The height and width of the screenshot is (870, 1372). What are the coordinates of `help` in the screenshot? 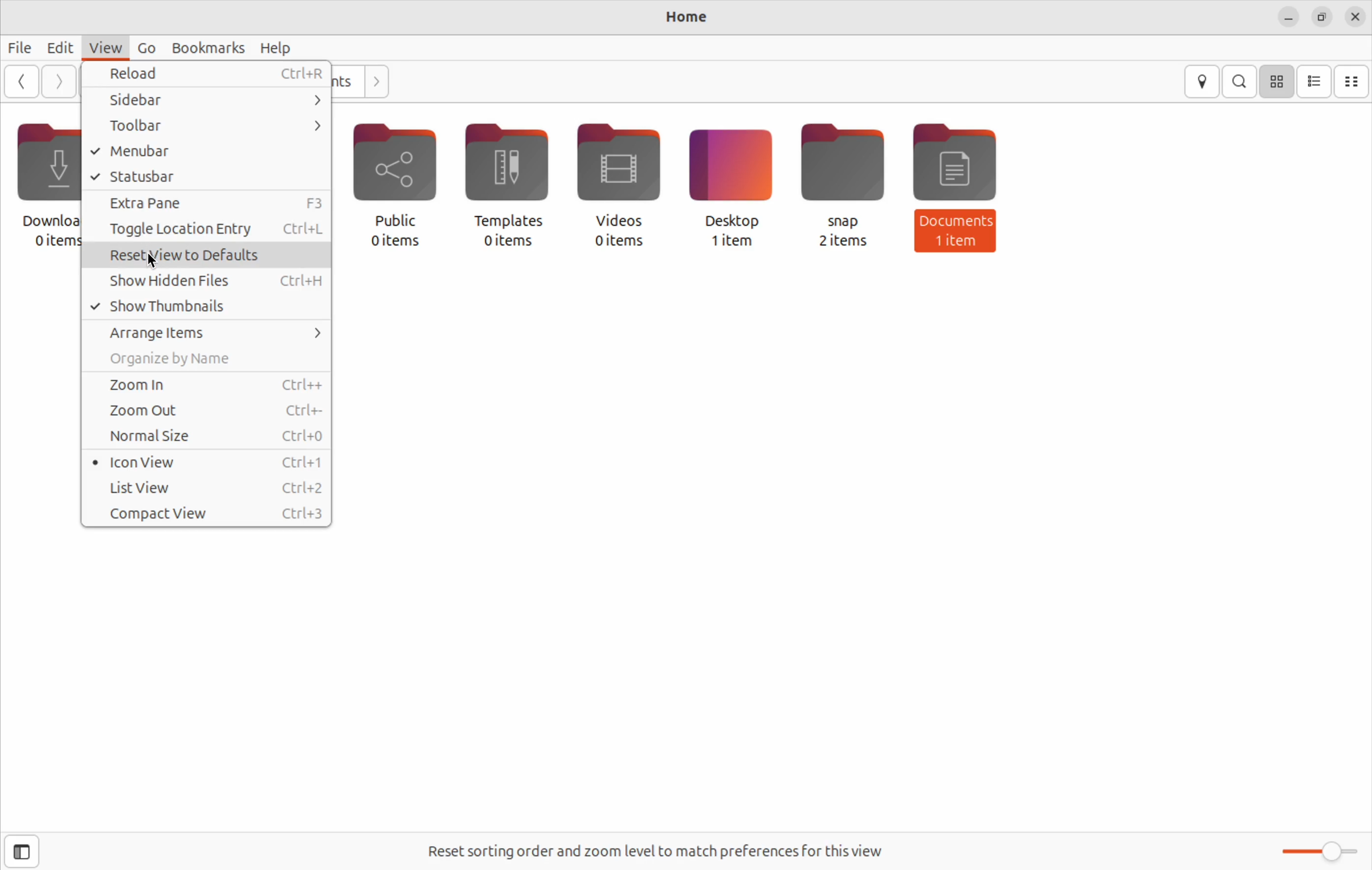 It's located at (279, 49).